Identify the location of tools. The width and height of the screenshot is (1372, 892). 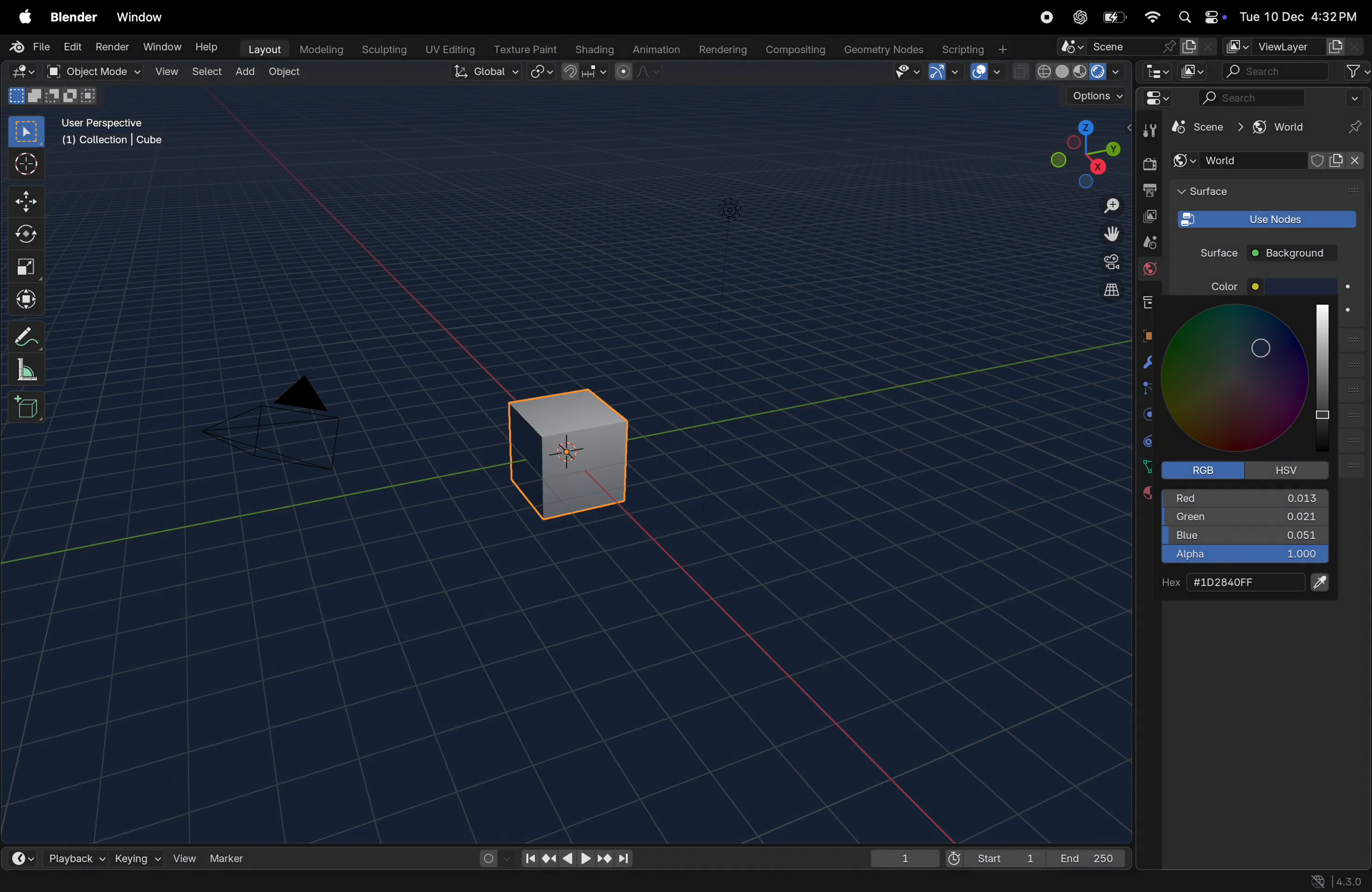
(1146, 130).